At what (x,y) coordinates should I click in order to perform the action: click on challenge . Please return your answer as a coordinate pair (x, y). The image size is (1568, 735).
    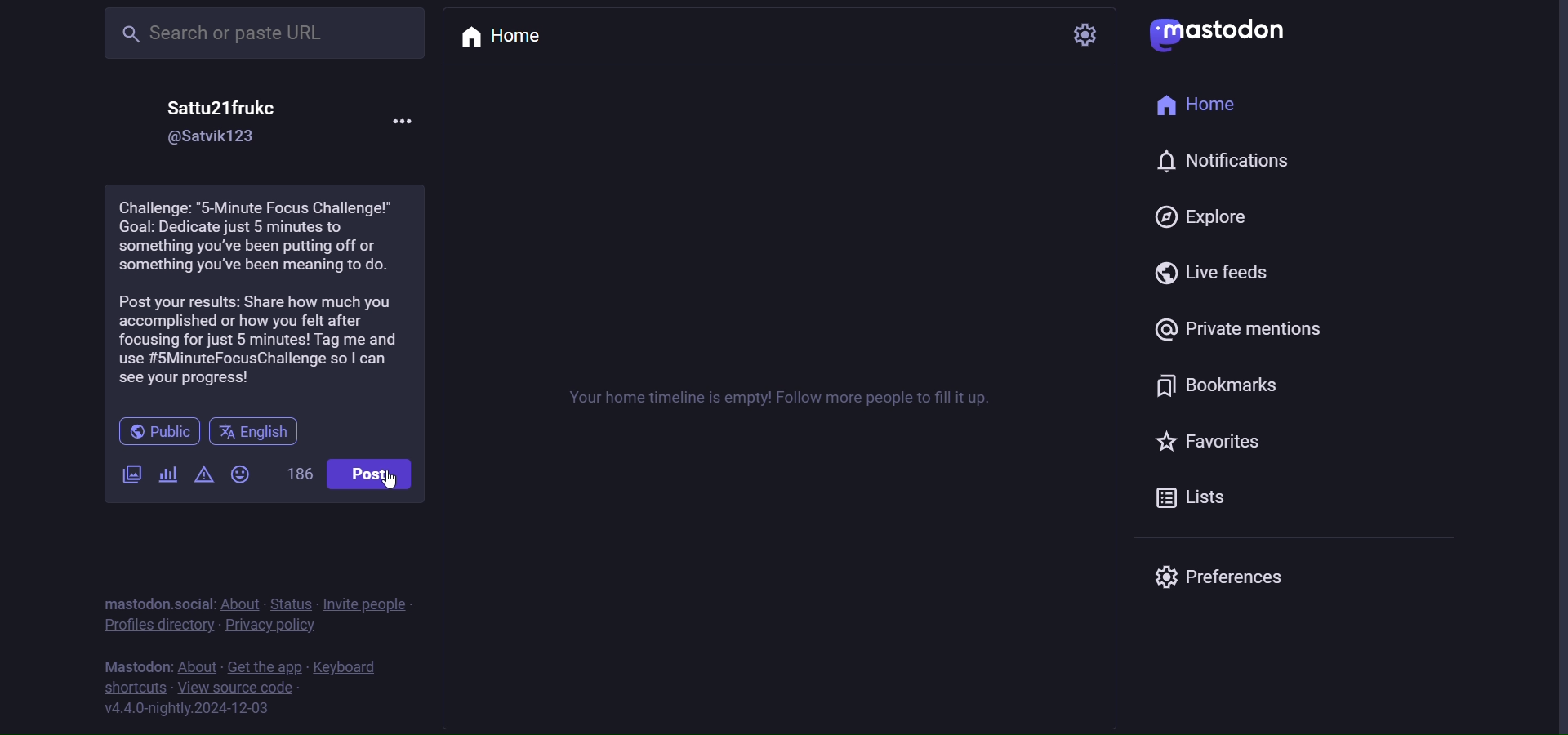
    Looking at the image, I should click on (264, 292).